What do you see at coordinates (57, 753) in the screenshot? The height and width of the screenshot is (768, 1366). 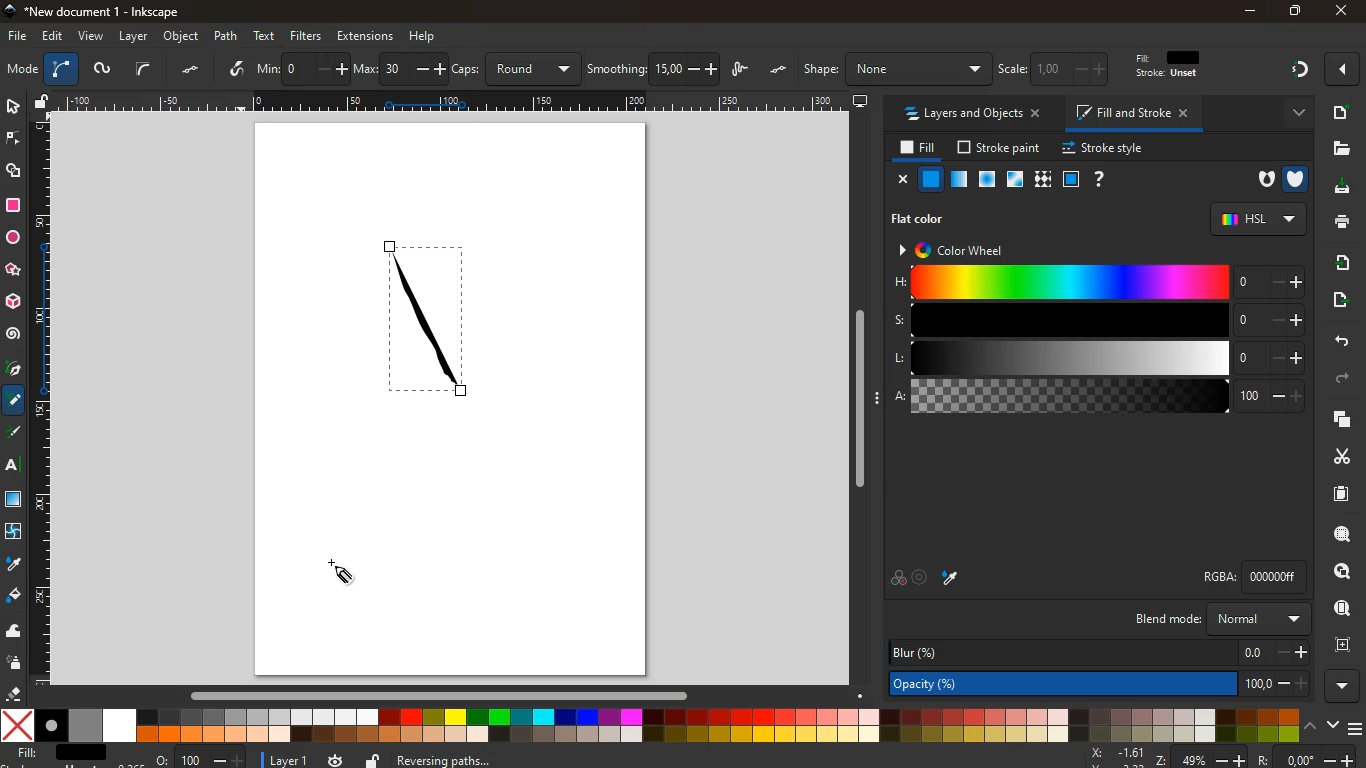 I see `fill: N/A` at bounding box center [57, 753].